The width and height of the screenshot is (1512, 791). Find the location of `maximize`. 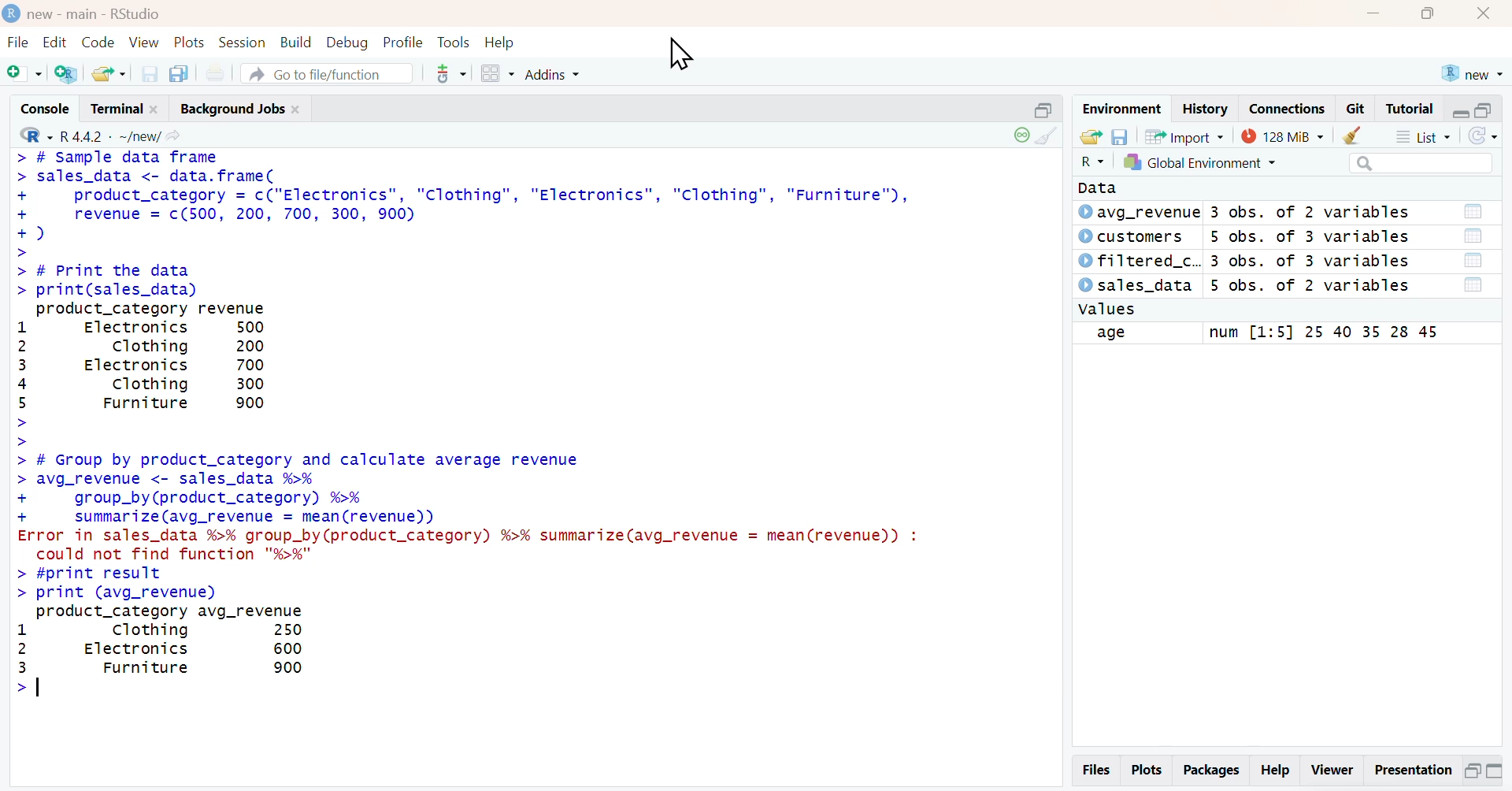

maximize is located at coordinates (1425, 14).